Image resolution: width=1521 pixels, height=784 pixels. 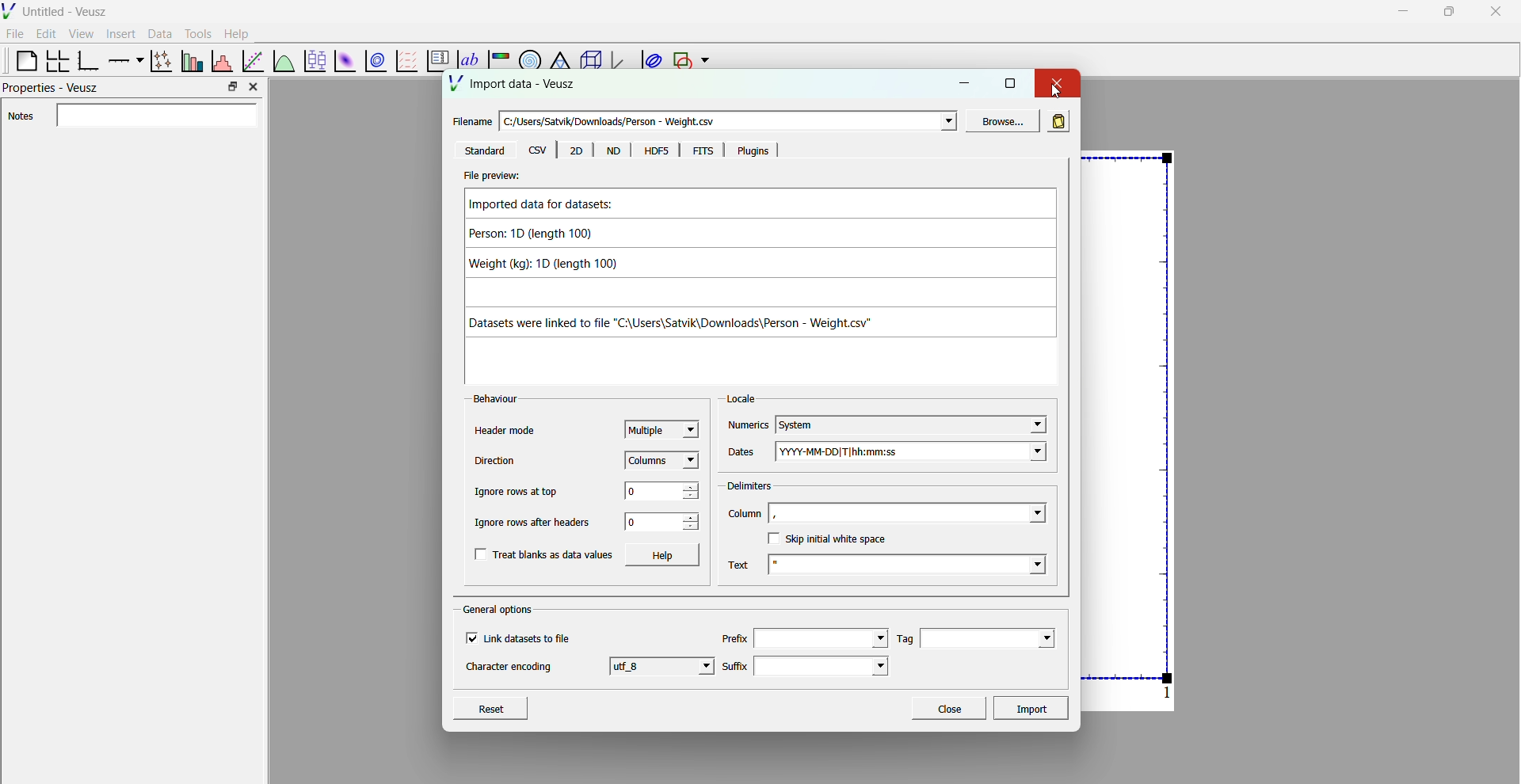 I want to click on Read in data from clipboard, so click(x=1061, y=119).